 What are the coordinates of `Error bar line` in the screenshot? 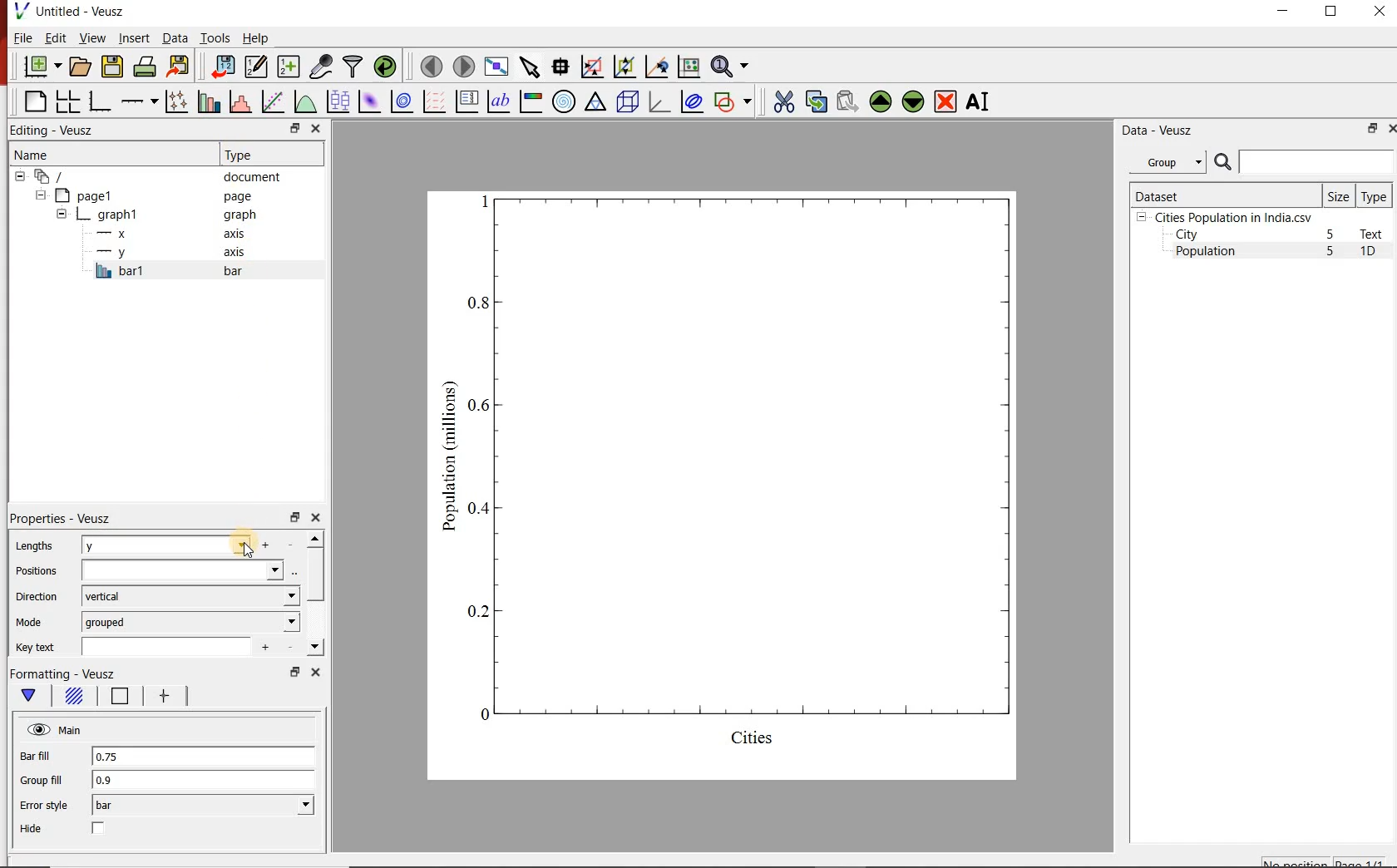 It's located at (161, 698).